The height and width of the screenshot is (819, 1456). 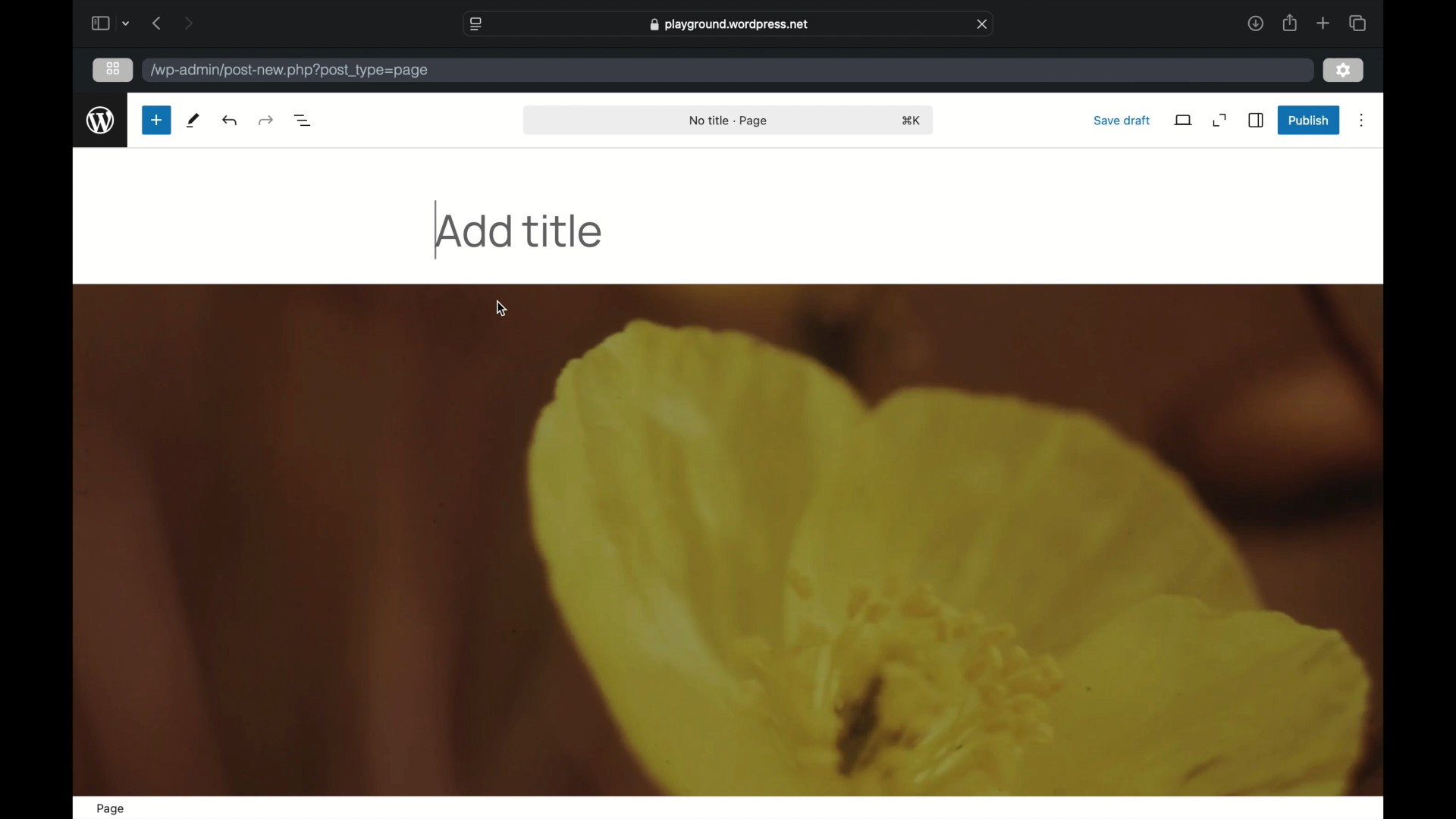 What do you see at coordinates (1183, 119) in the screenshot?
I see `view` at bounding box center [1183, 119].